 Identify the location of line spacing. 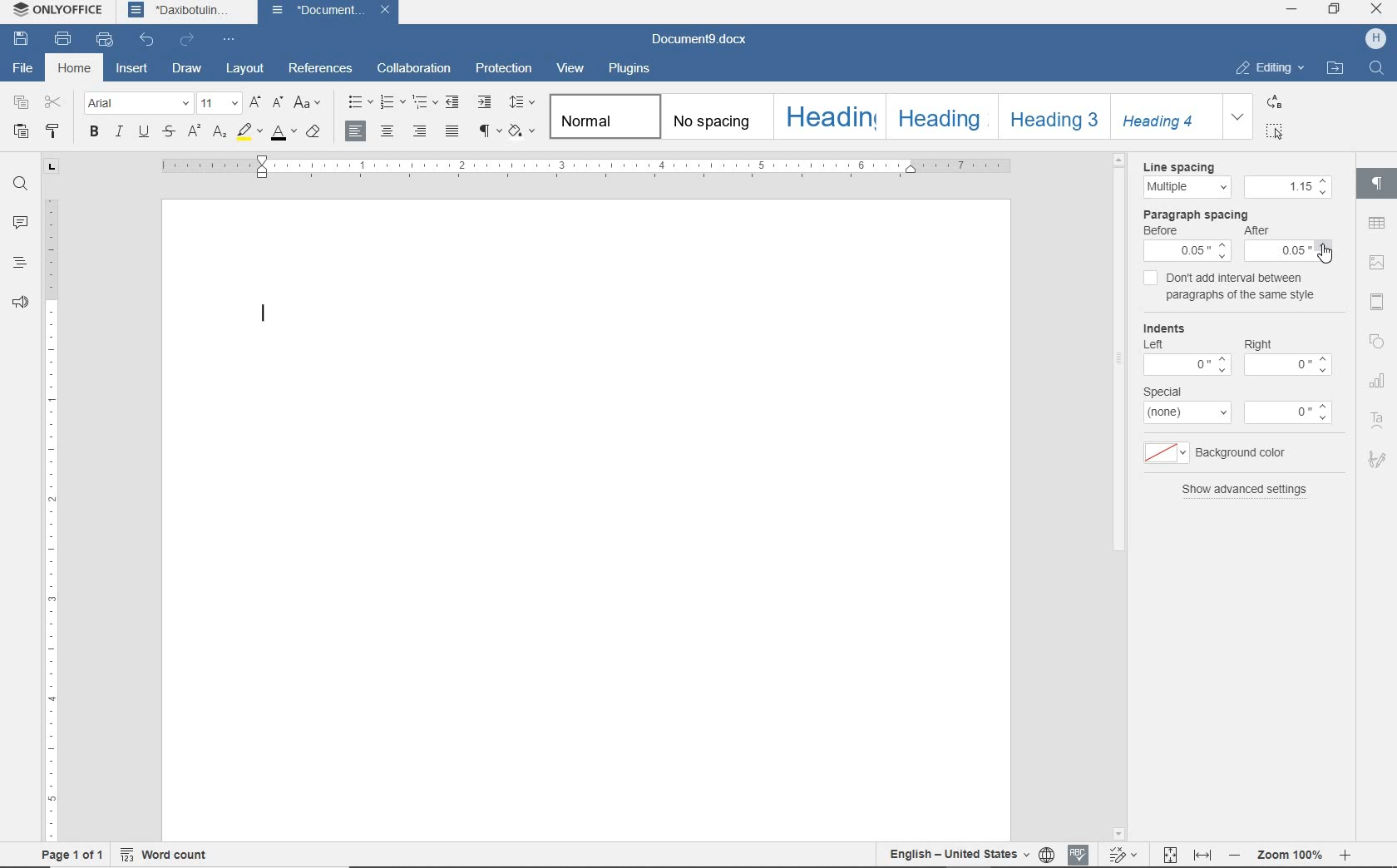
(1178, 167).